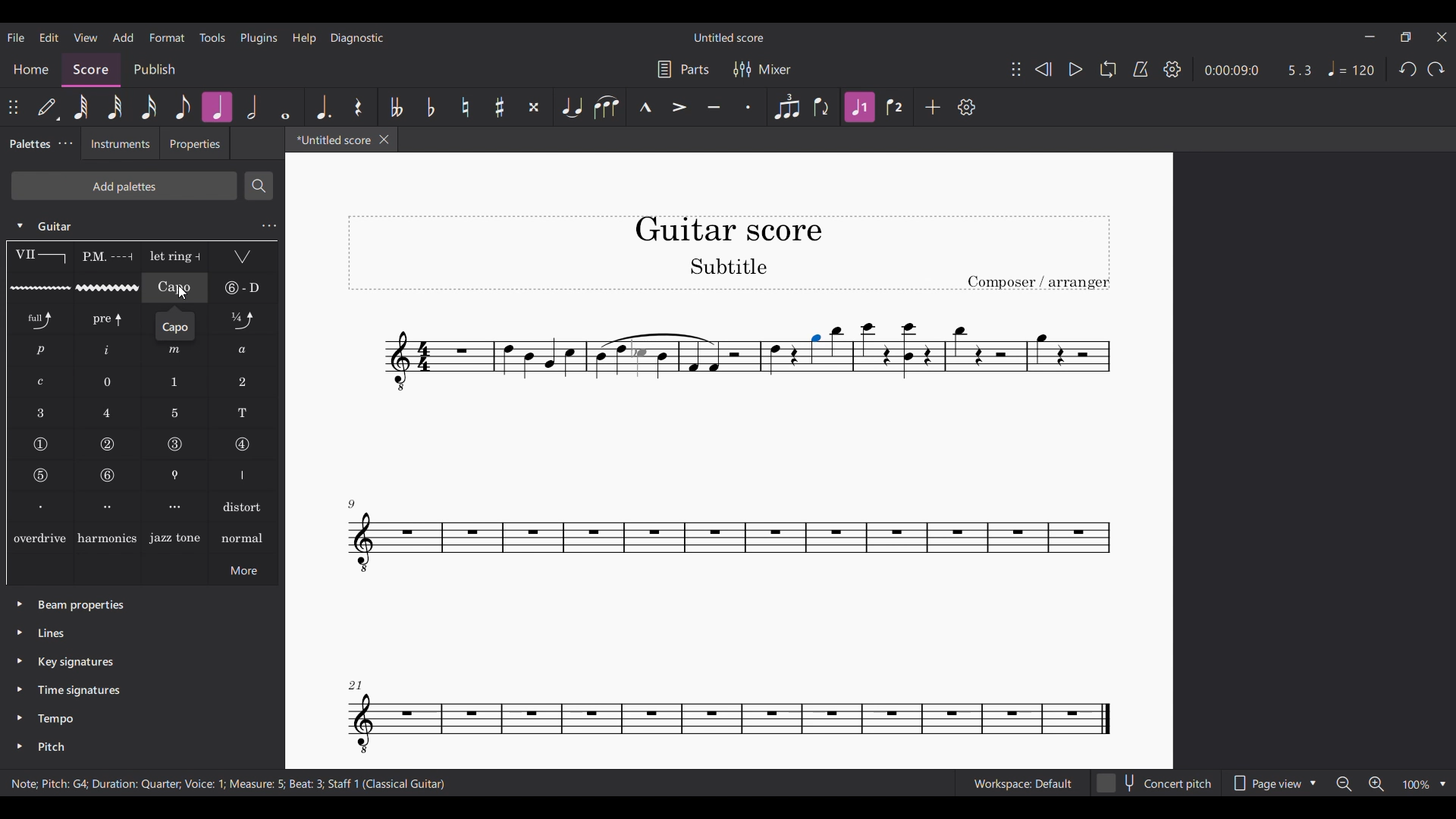  Describe the element at coordinates (933, 106) in the screenshot. I see `Add` at that location.